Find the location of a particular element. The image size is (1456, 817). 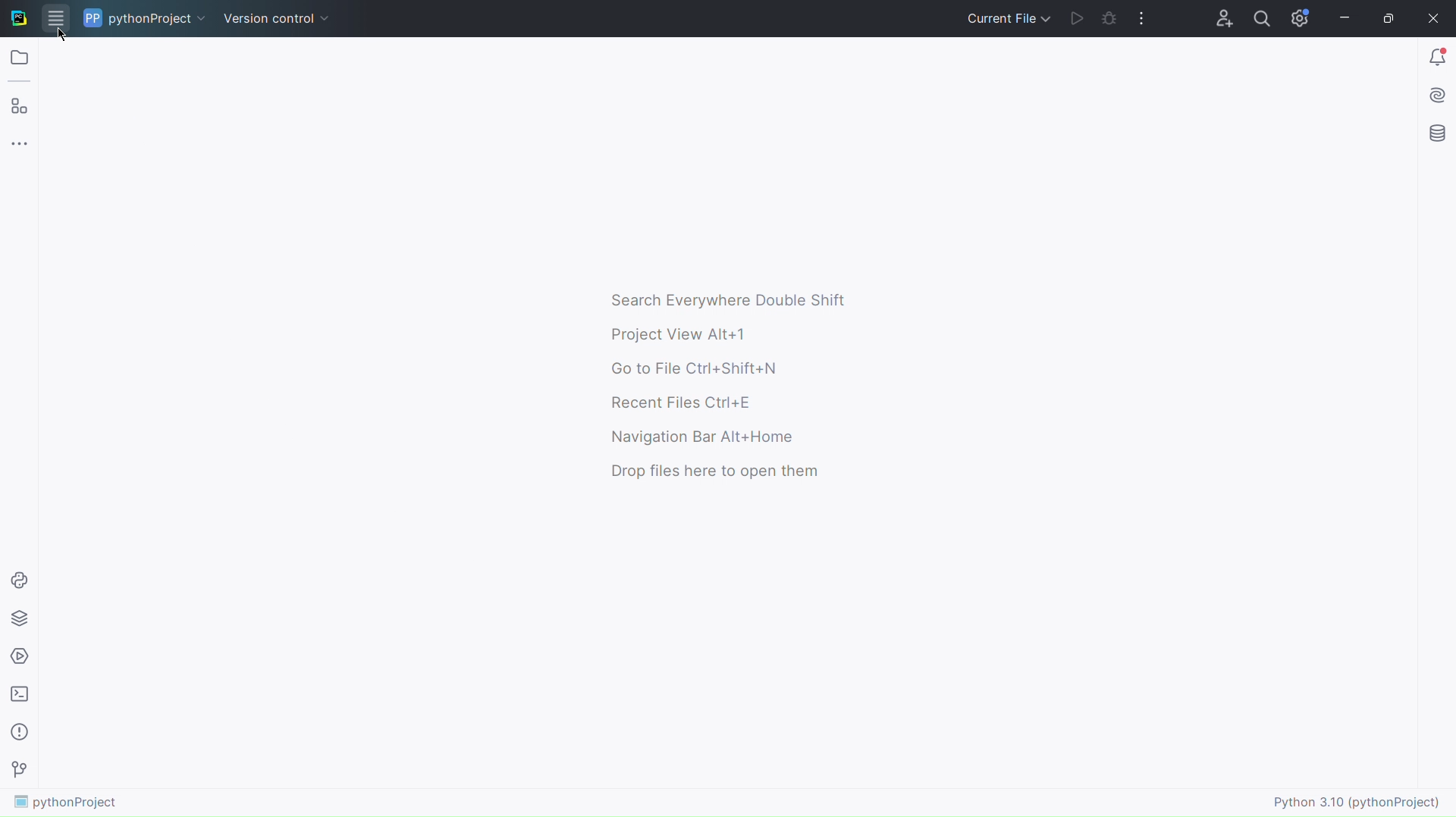

Python Packages is located at coordinates (20, 617).